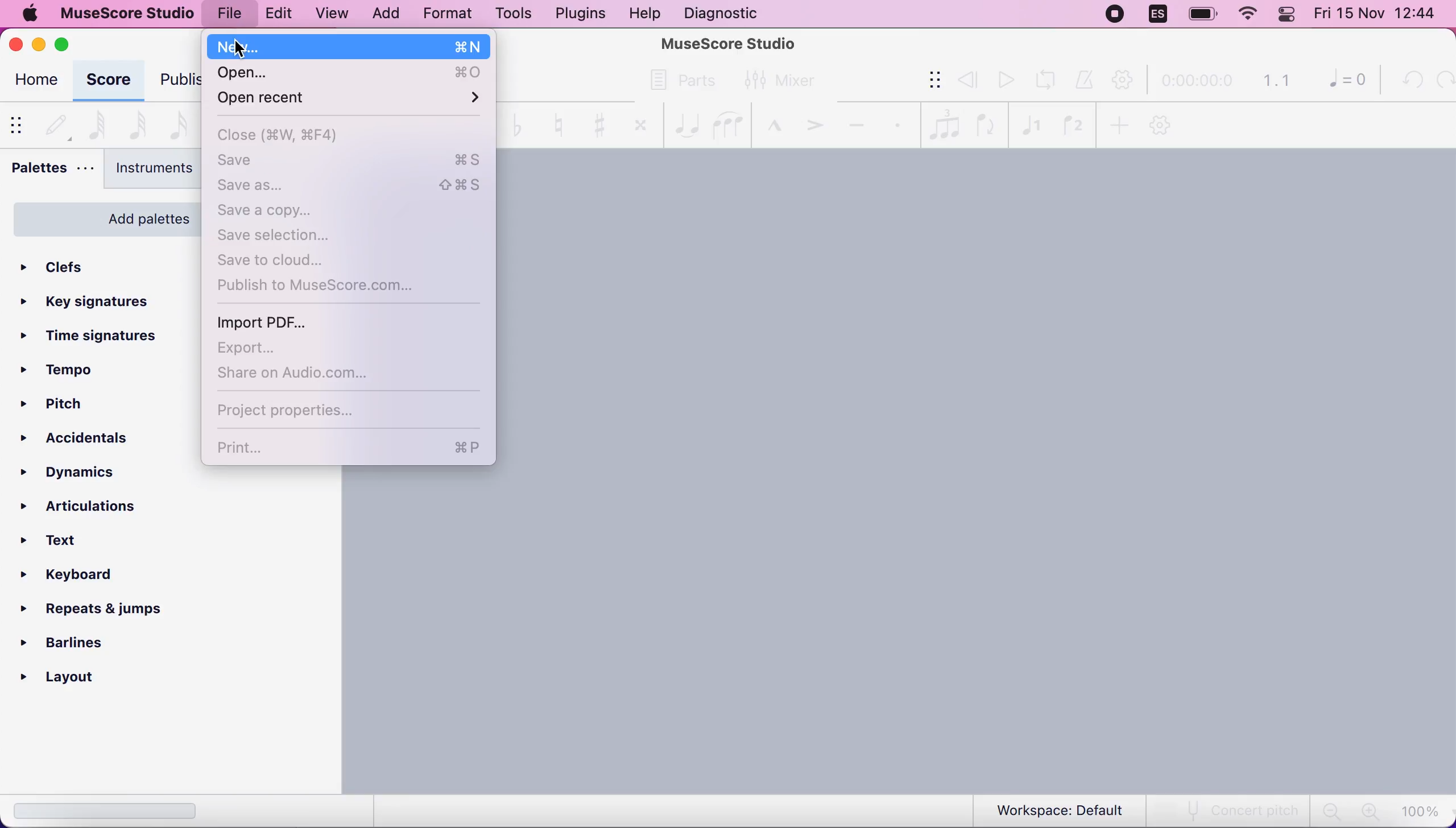  Describe the element at coordinates (1157, 14) in the screenshot. I see `language` at that location.